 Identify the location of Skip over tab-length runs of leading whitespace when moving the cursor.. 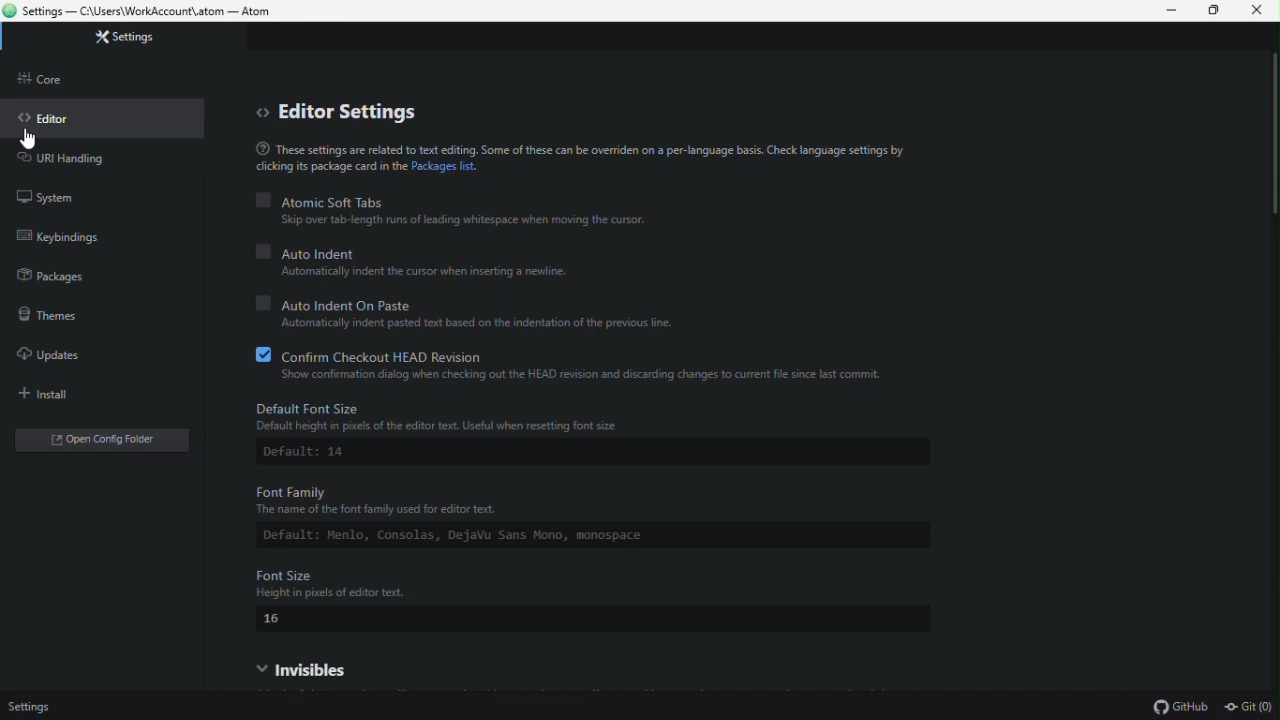
(489, 222).